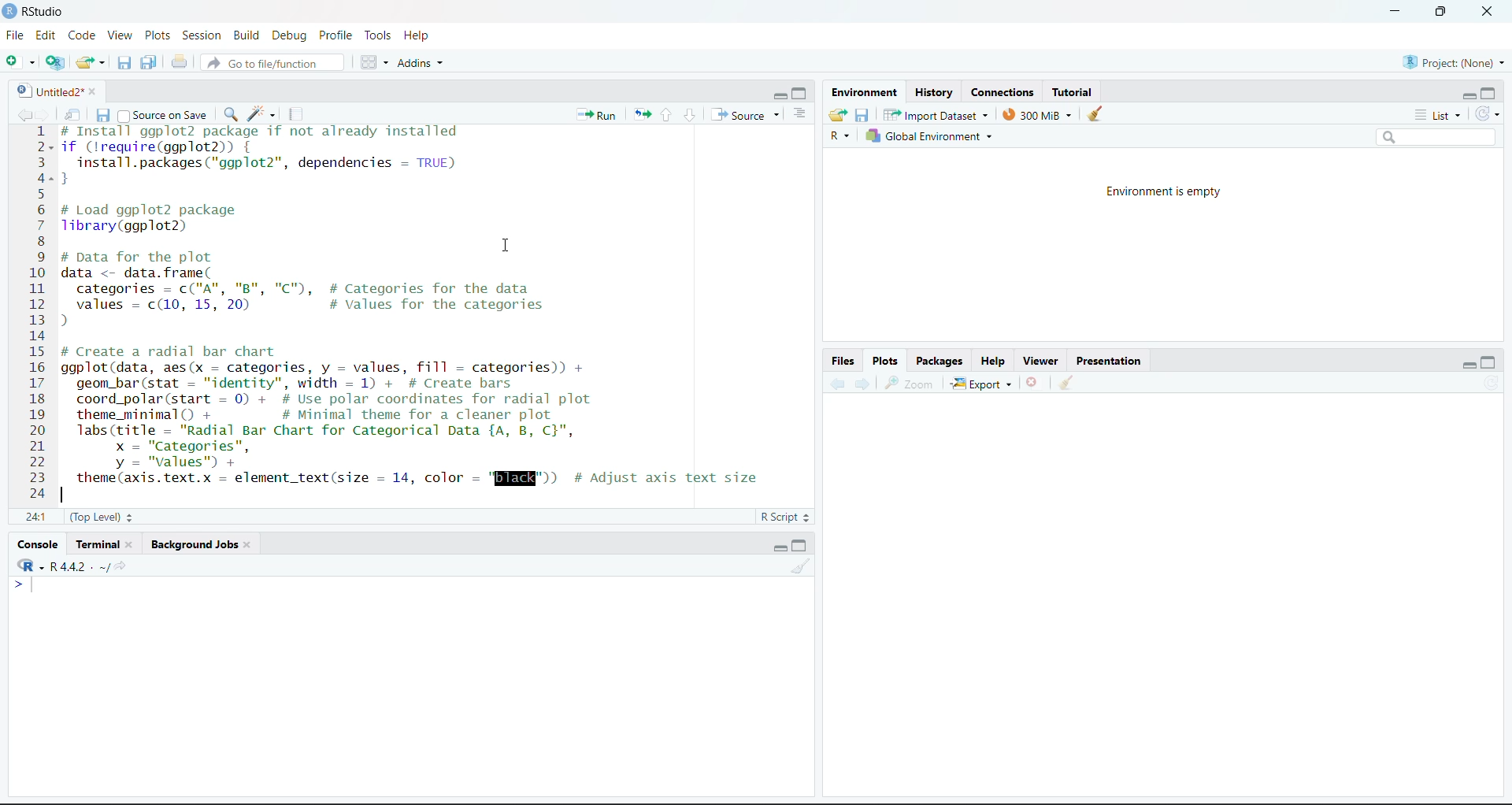 The image size is (1512, 805). What do you see at coordinates (102, 114) in the screenshot?
I see `save current document` at bounding box center [102, 114].